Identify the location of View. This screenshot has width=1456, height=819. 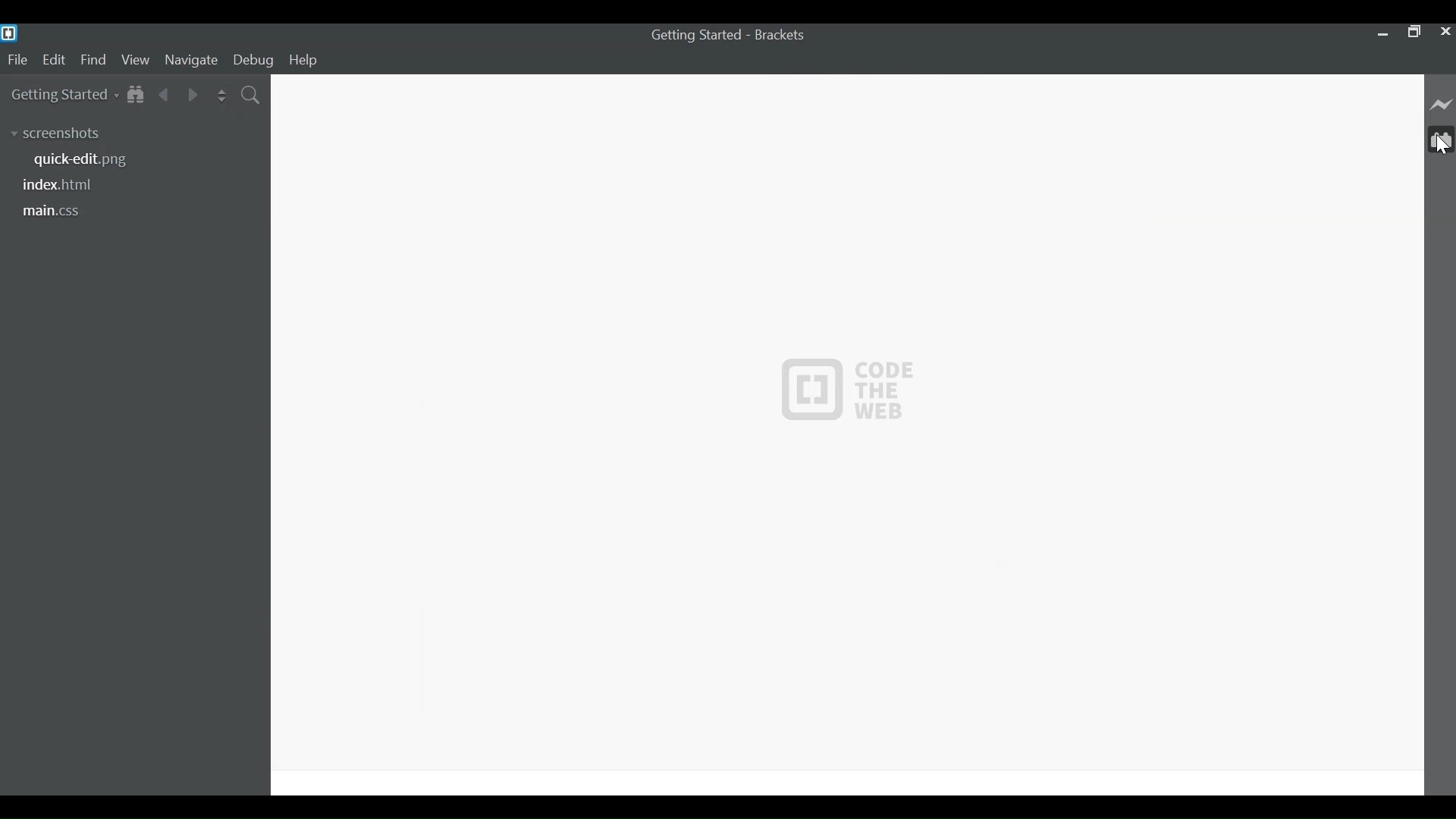
(136, 61).